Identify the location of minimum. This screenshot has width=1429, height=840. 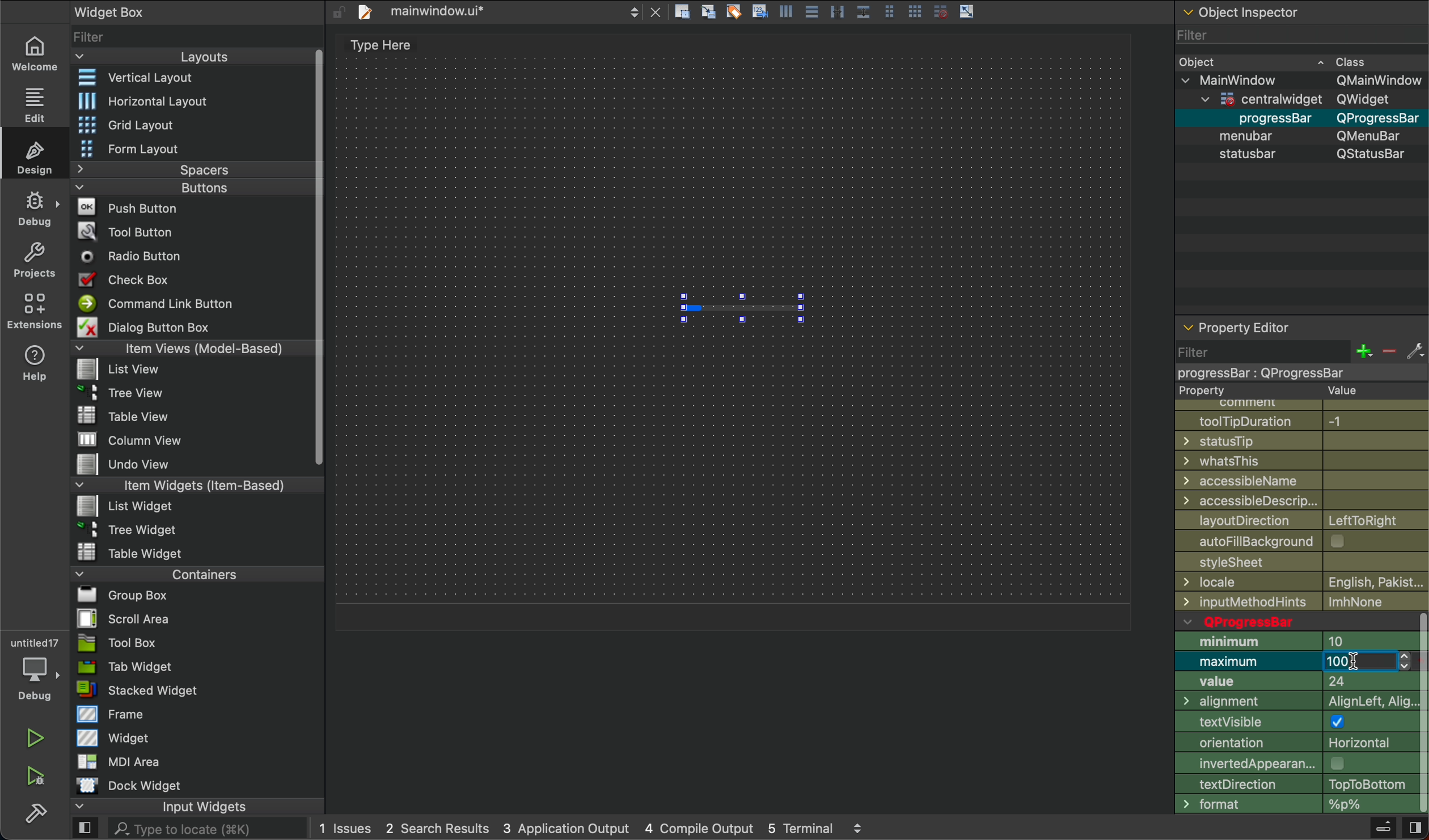
(1293, 643).